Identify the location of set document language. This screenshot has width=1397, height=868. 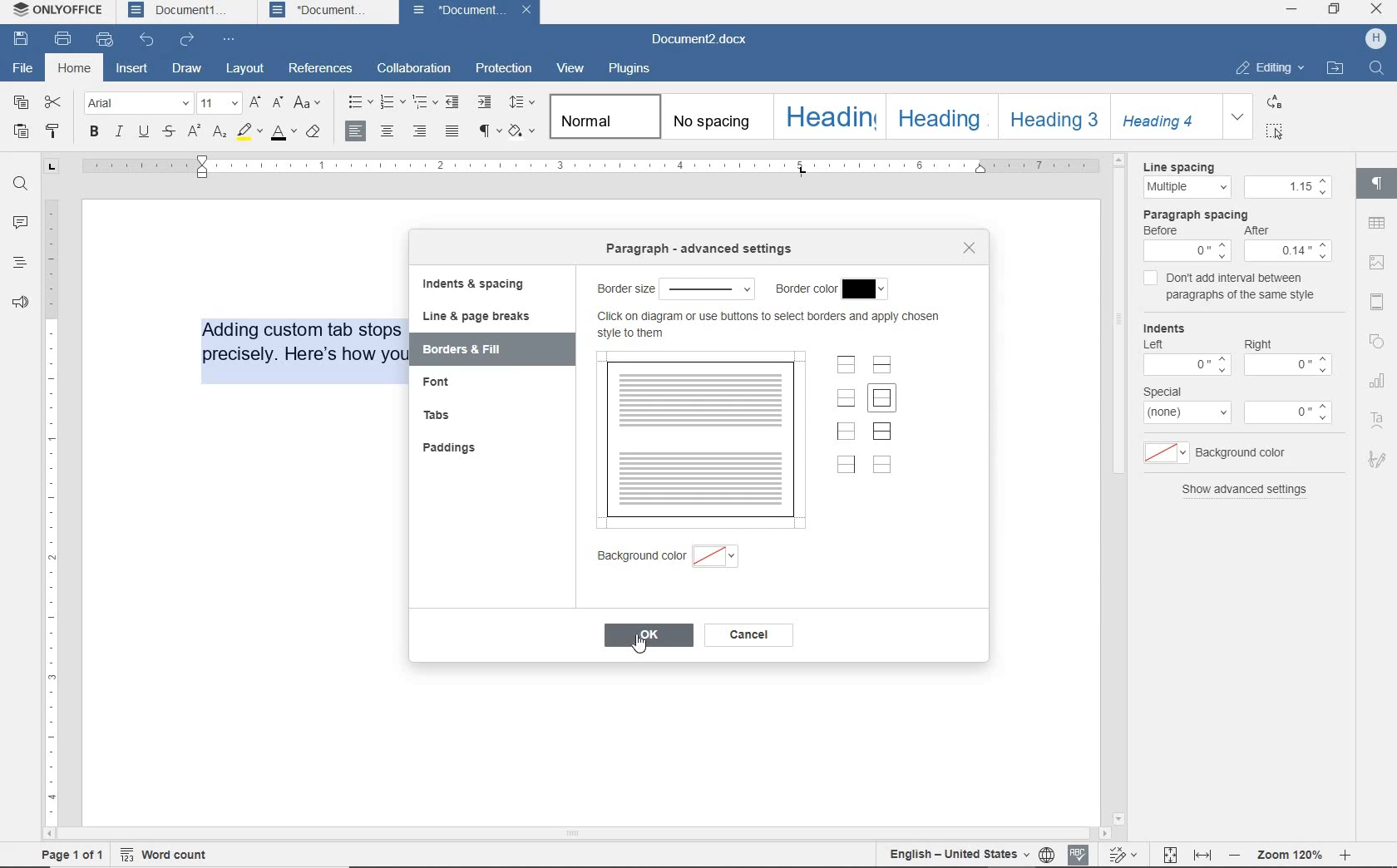
(1049, 854).